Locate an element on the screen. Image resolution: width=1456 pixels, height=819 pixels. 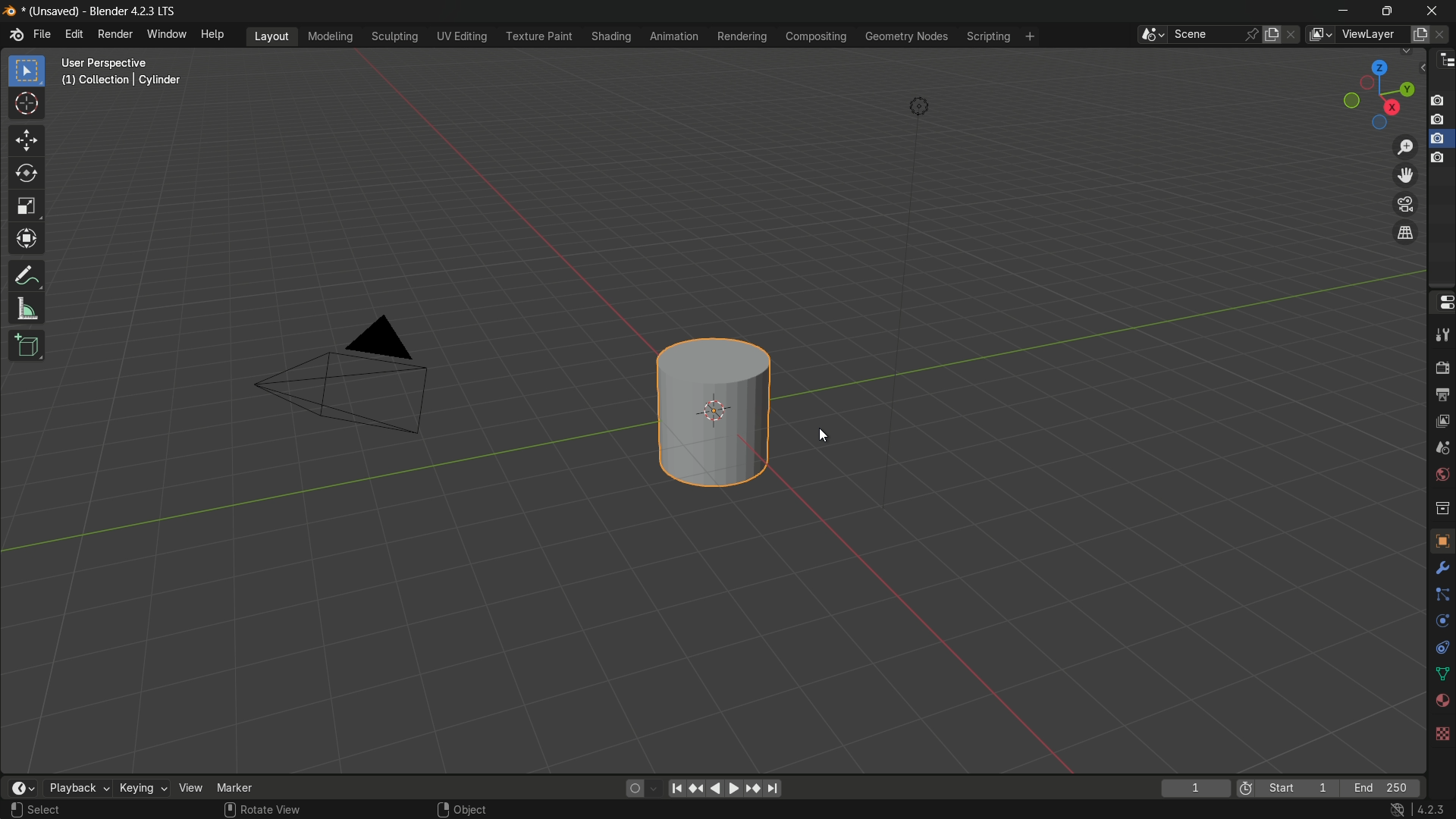
layer 1 is located at coordinates (1440, 100).